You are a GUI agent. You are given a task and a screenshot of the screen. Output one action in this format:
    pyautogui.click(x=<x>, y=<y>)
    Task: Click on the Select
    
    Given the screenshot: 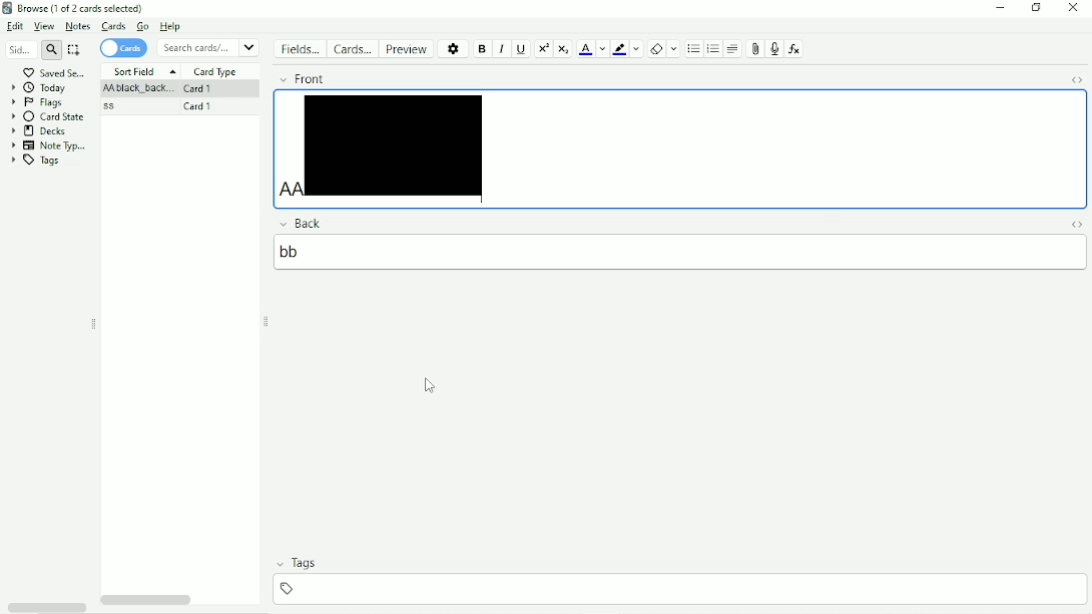 What is the action you would take?
    pyautogui.click(x=75, y=49)
    